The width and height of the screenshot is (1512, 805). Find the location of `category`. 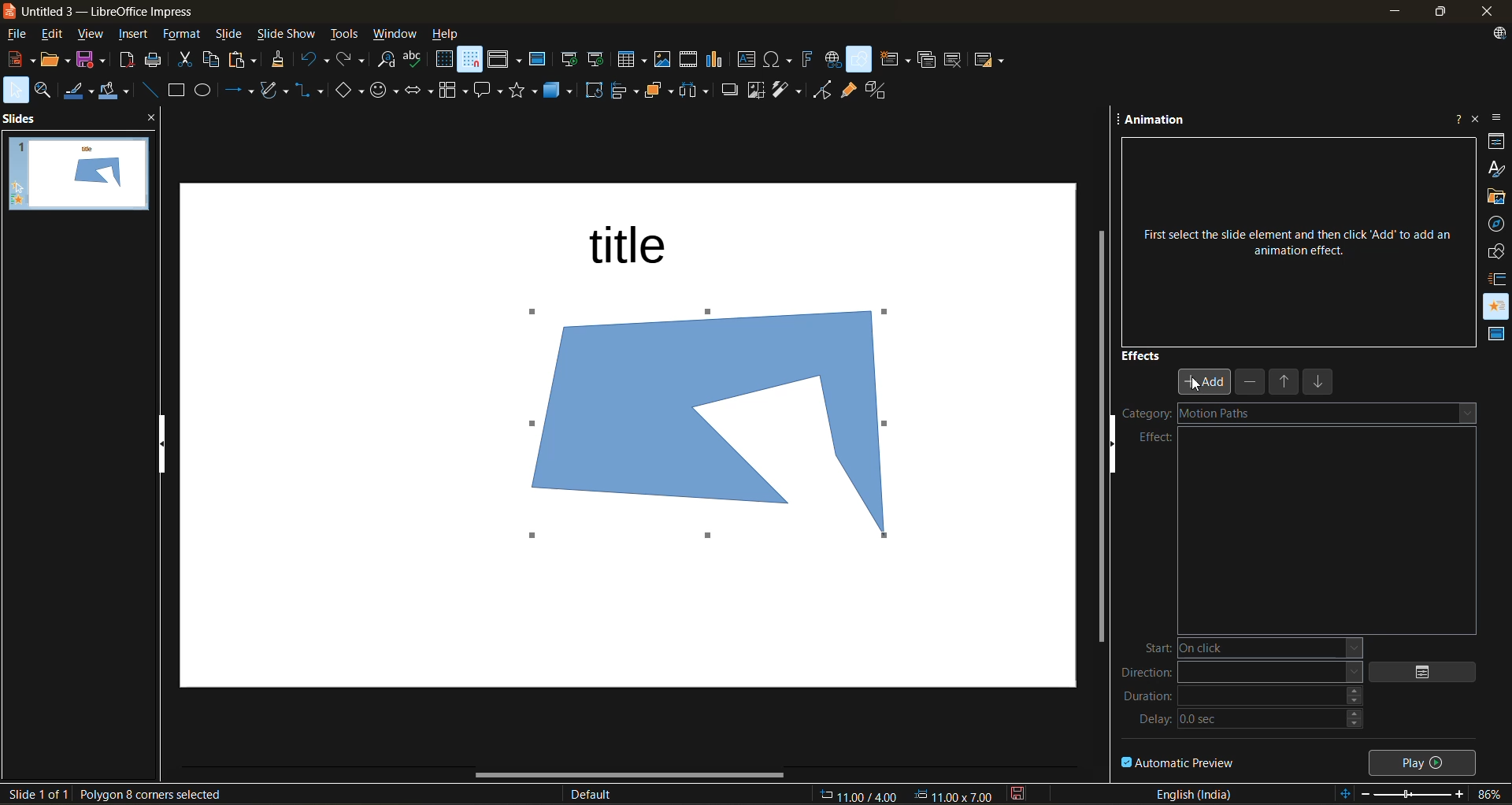

category is located at coordinates (1144, 417).